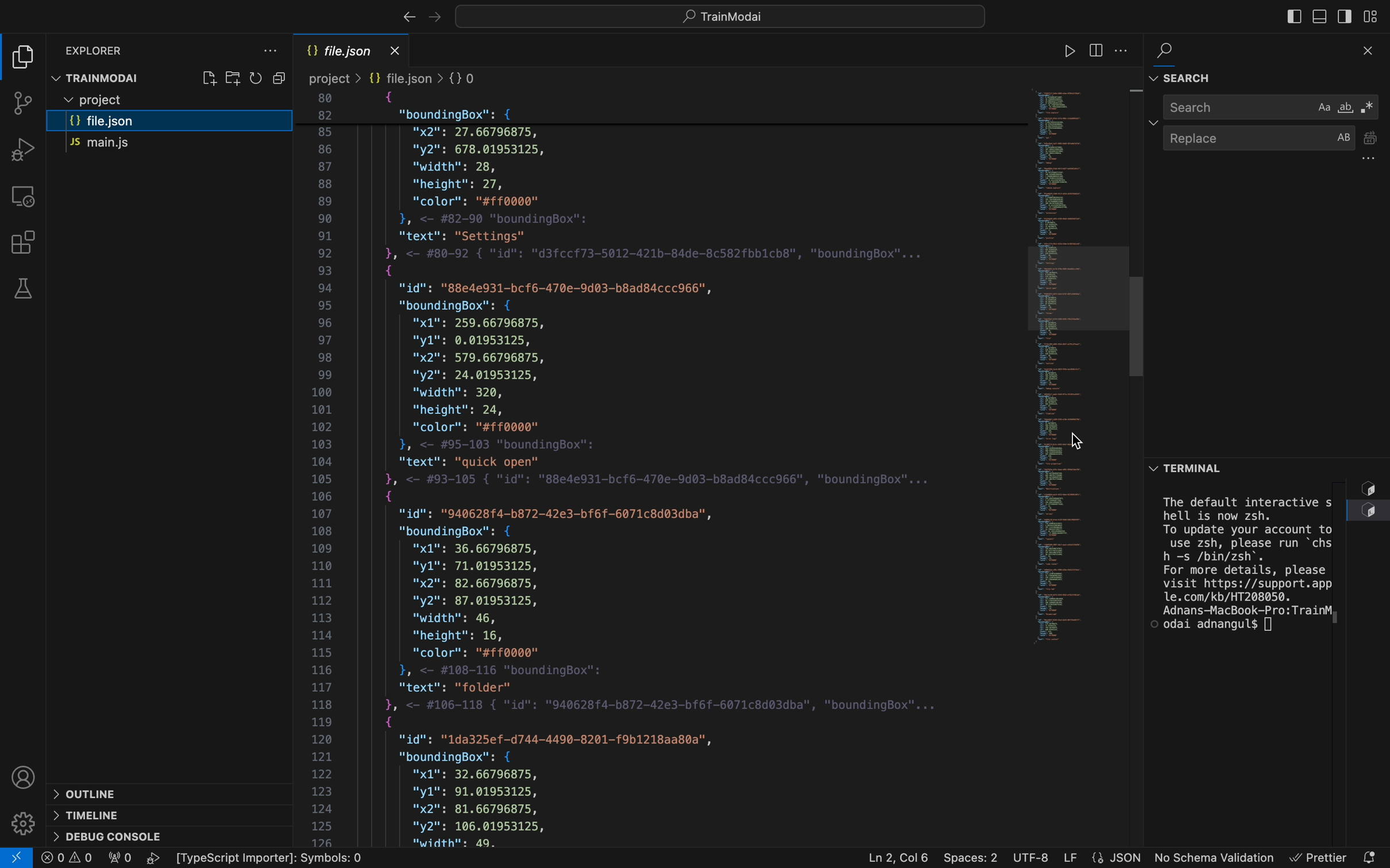  I want to click on debug tool, so click(21, 149).